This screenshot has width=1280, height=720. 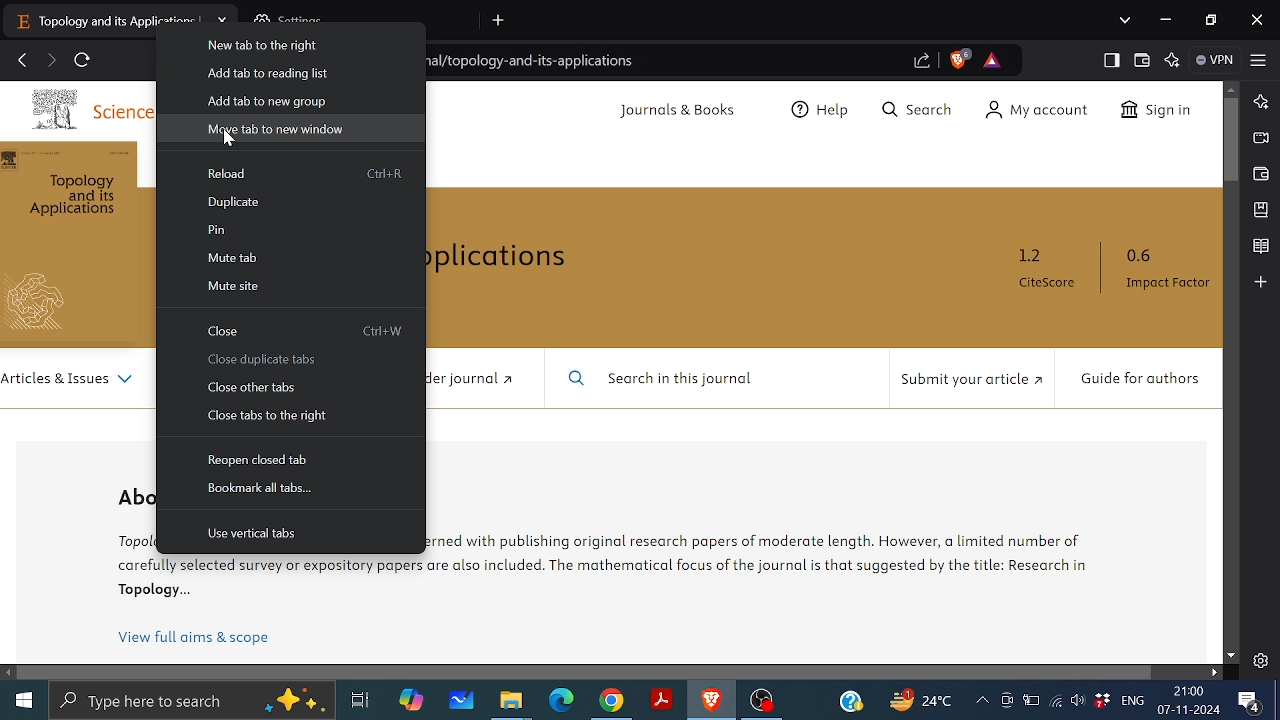 What do you see at coordinates (1229, 140) in the screenshot?
I see `Vertical scrollbar` at bounding box center [1229, 140].